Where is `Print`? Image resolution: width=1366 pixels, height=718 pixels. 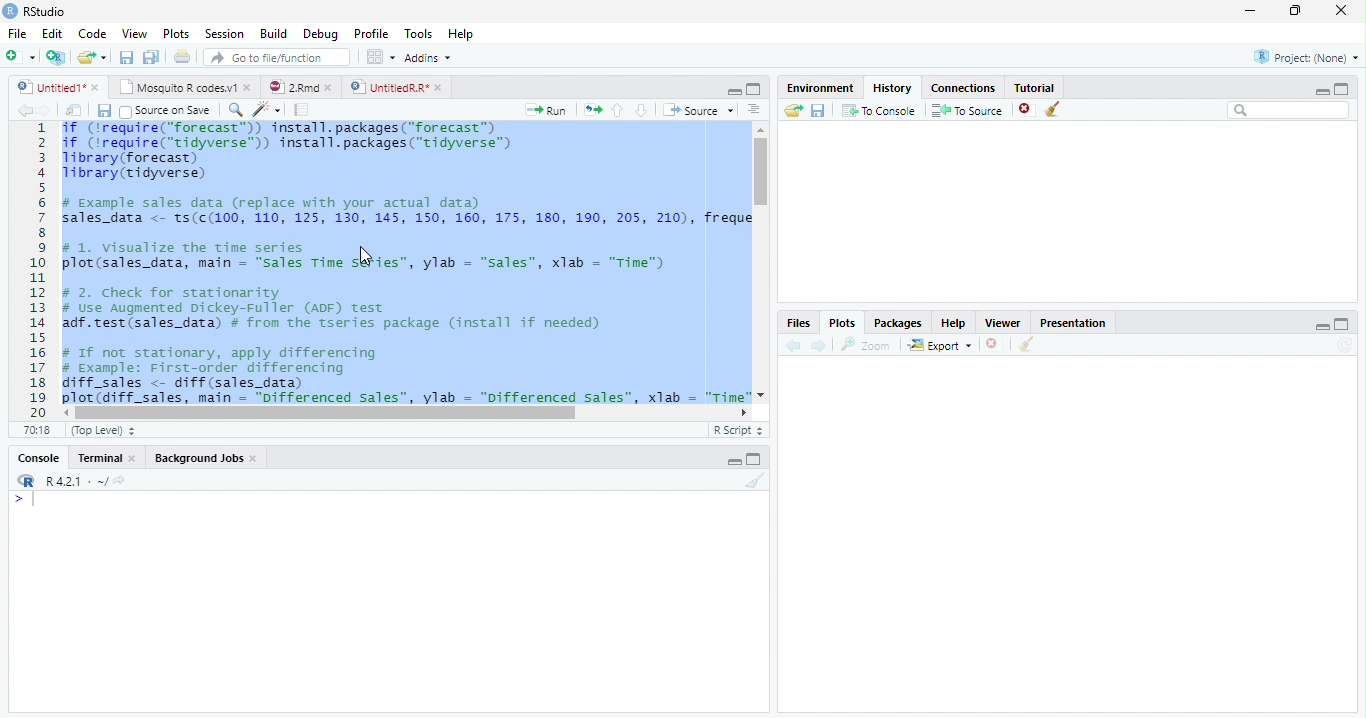
Print is located at coordinates (182, 57).